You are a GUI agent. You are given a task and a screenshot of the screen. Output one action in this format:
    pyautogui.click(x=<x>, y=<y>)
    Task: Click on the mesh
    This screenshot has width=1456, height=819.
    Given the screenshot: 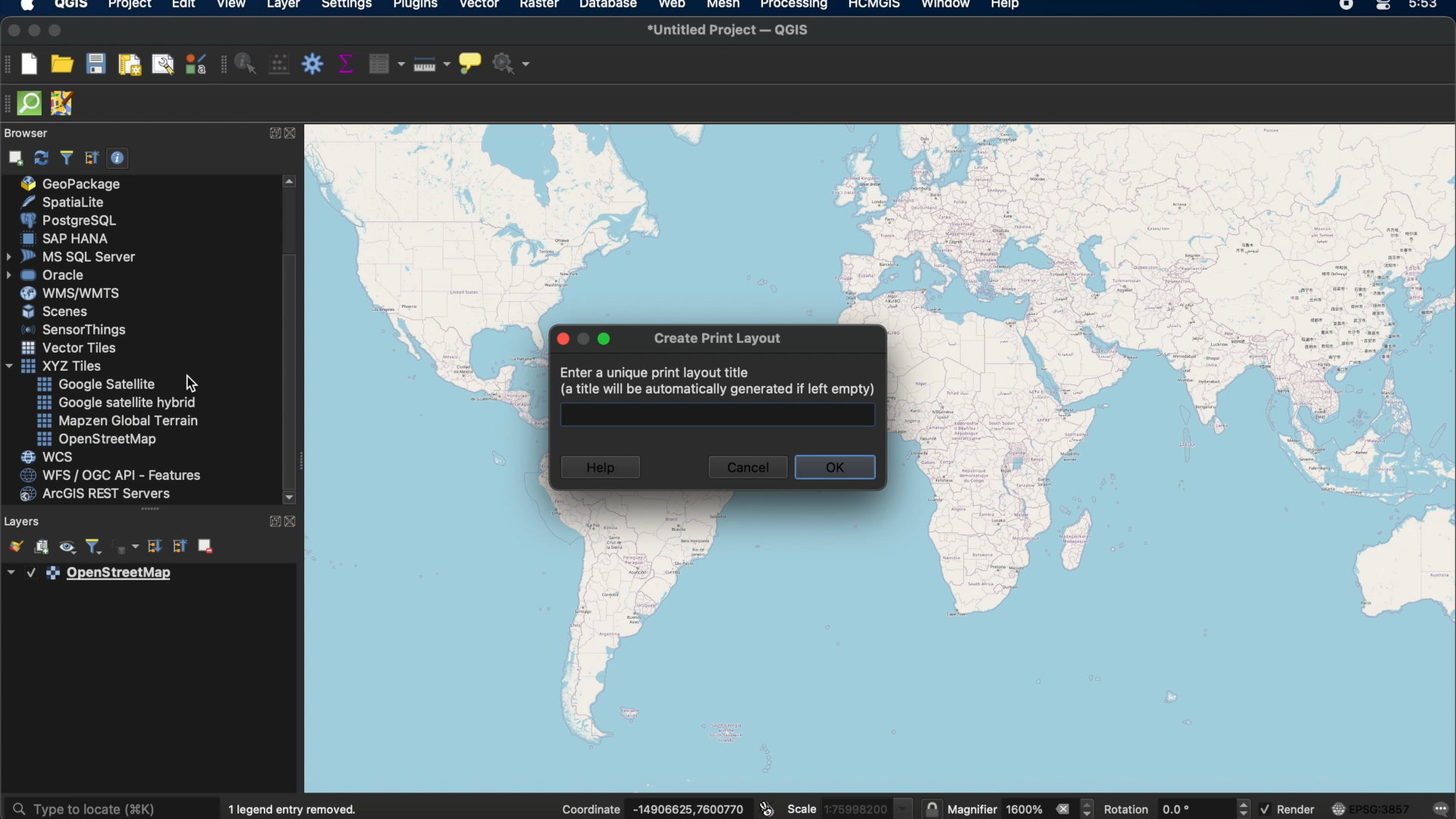 What is the action you would take?
    pyautogui.click(x=726, y=6)
    